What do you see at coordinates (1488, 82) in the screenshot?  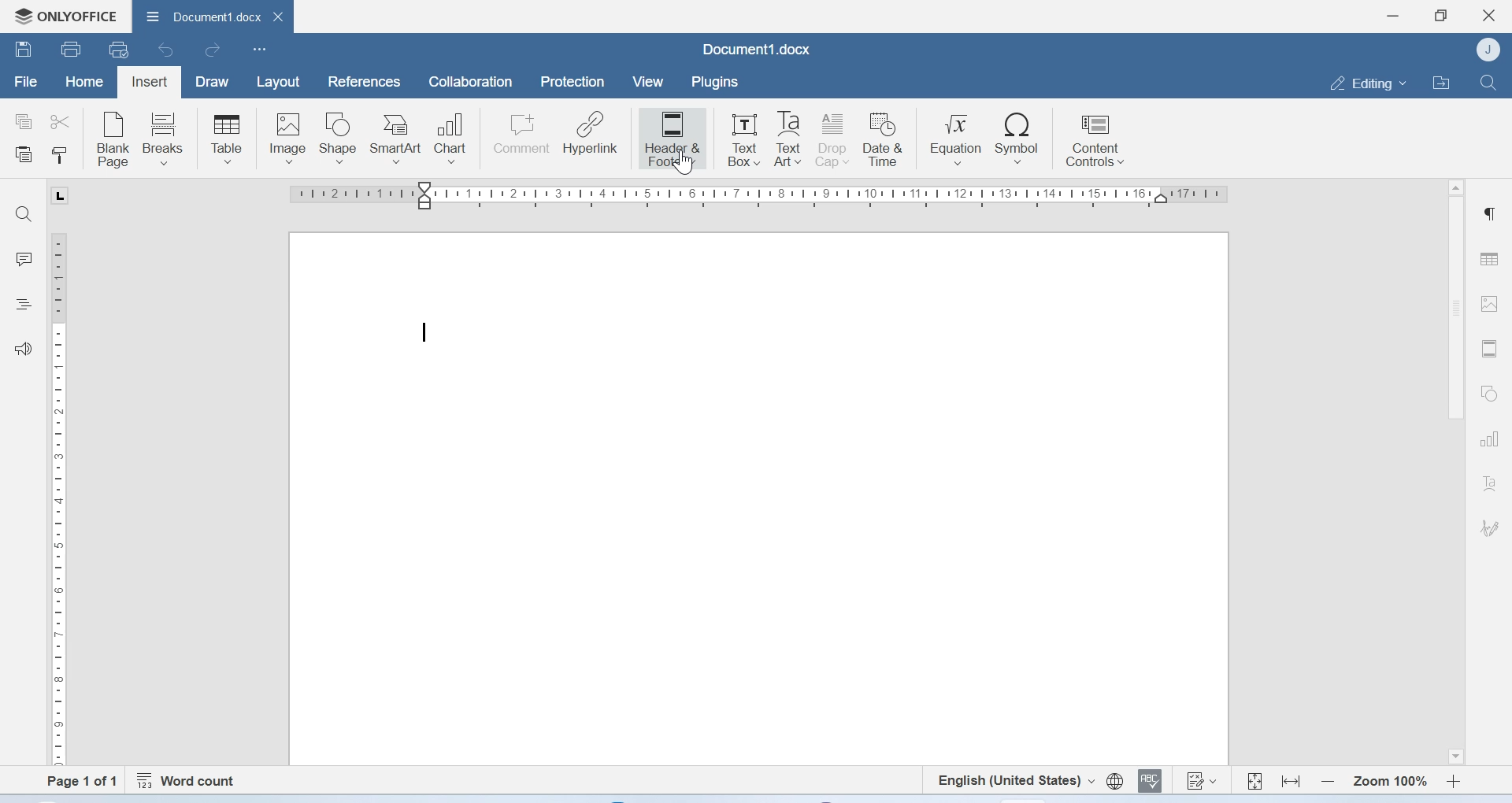 I see `Find` at bounding box center [1488, 82].